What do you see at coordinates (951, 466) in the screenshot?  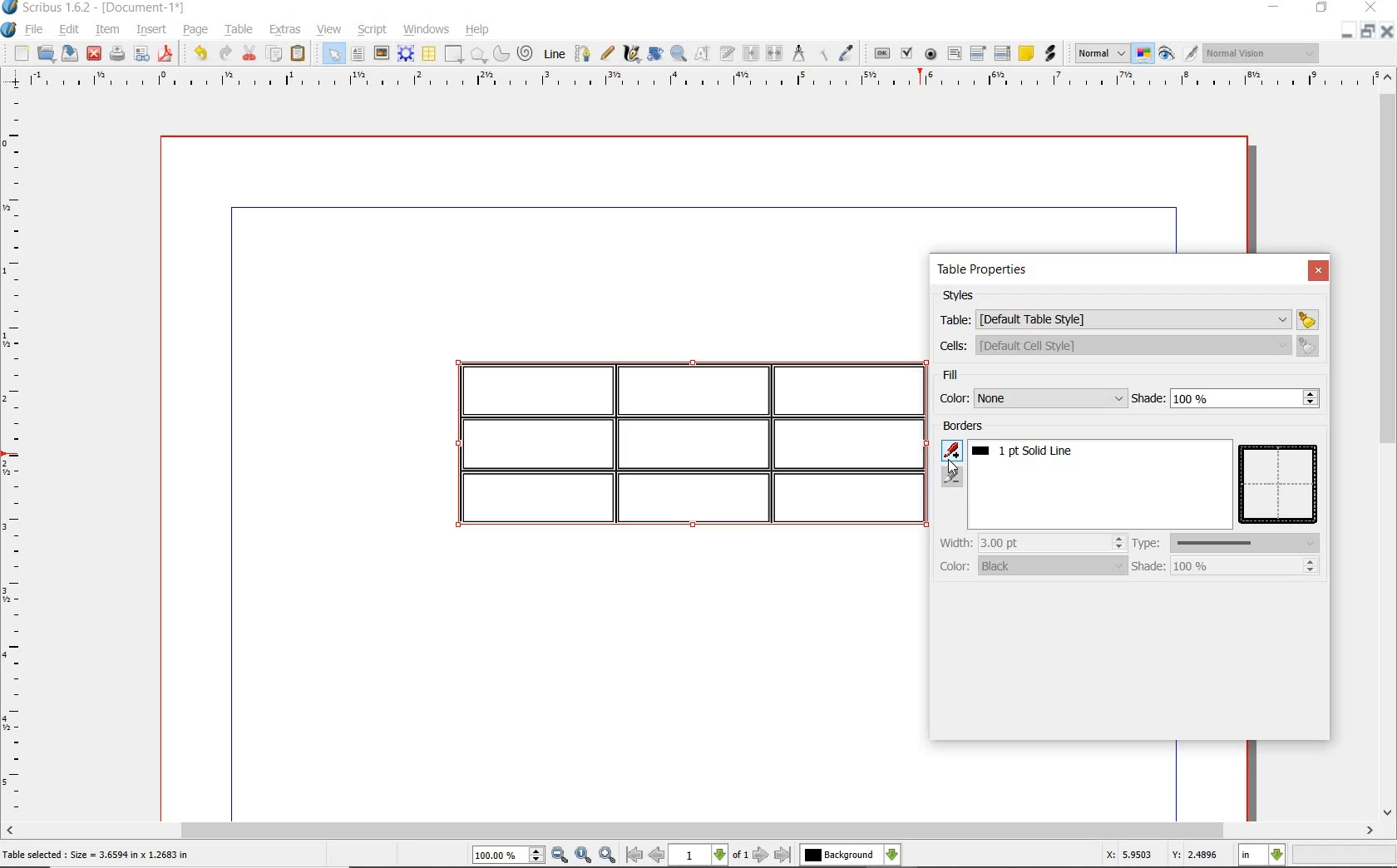 I see `Cursor` at bounding box center [951, 466].